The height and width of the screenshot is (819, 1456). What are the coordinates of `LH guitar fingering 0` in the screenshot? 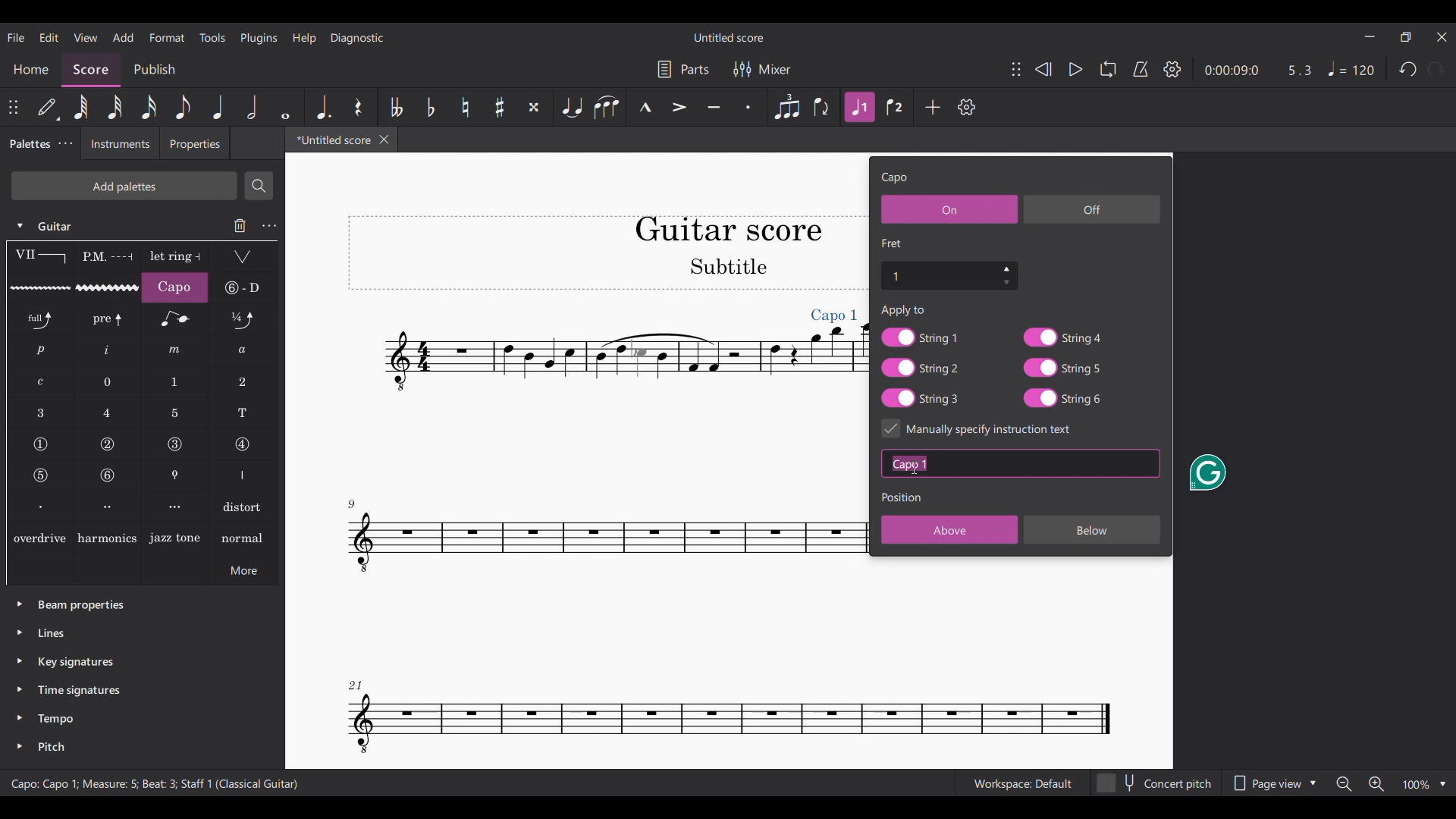 It's located at (108, 381).